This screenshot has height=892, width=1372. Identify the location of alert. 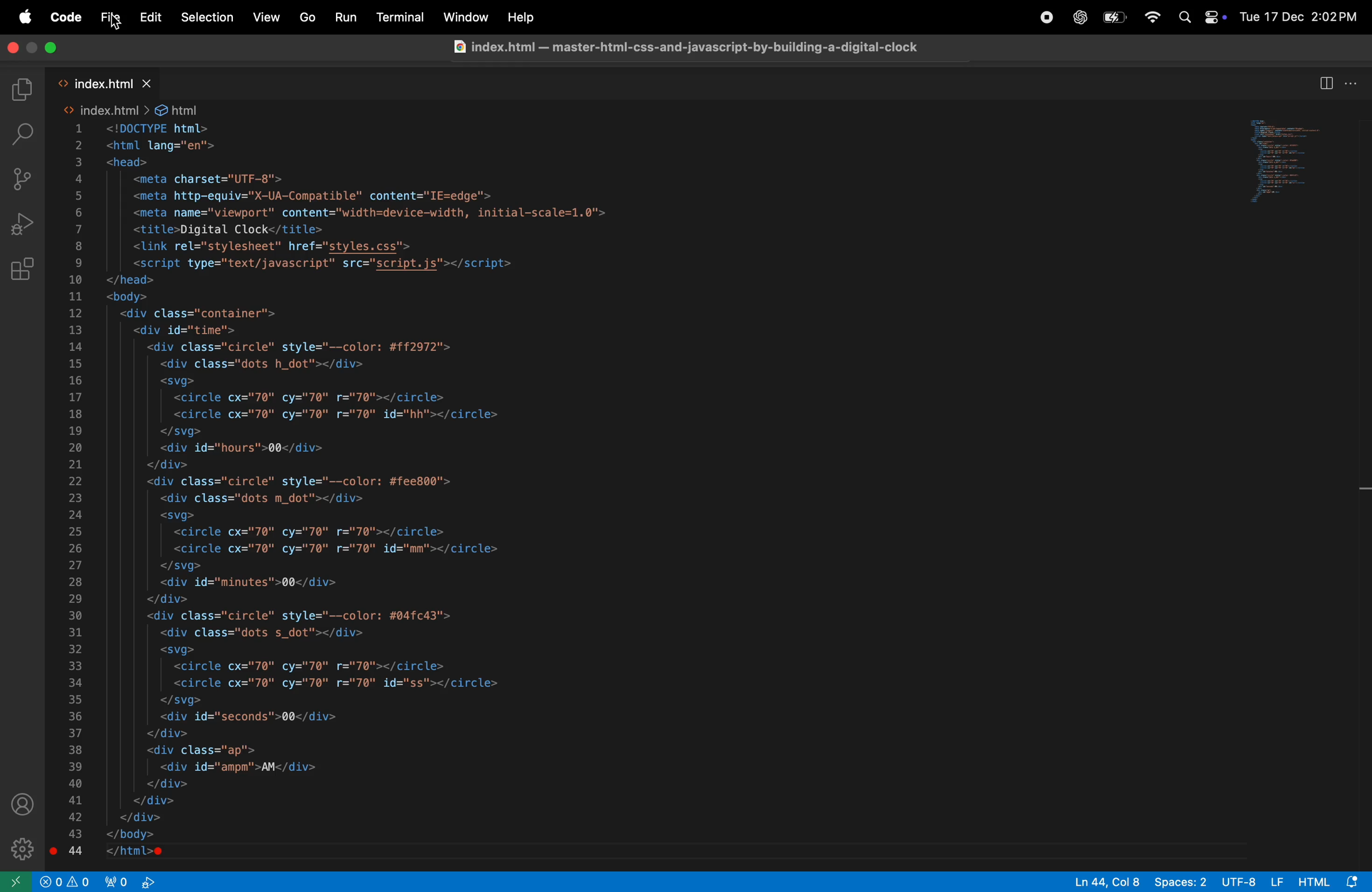
(81, 880).